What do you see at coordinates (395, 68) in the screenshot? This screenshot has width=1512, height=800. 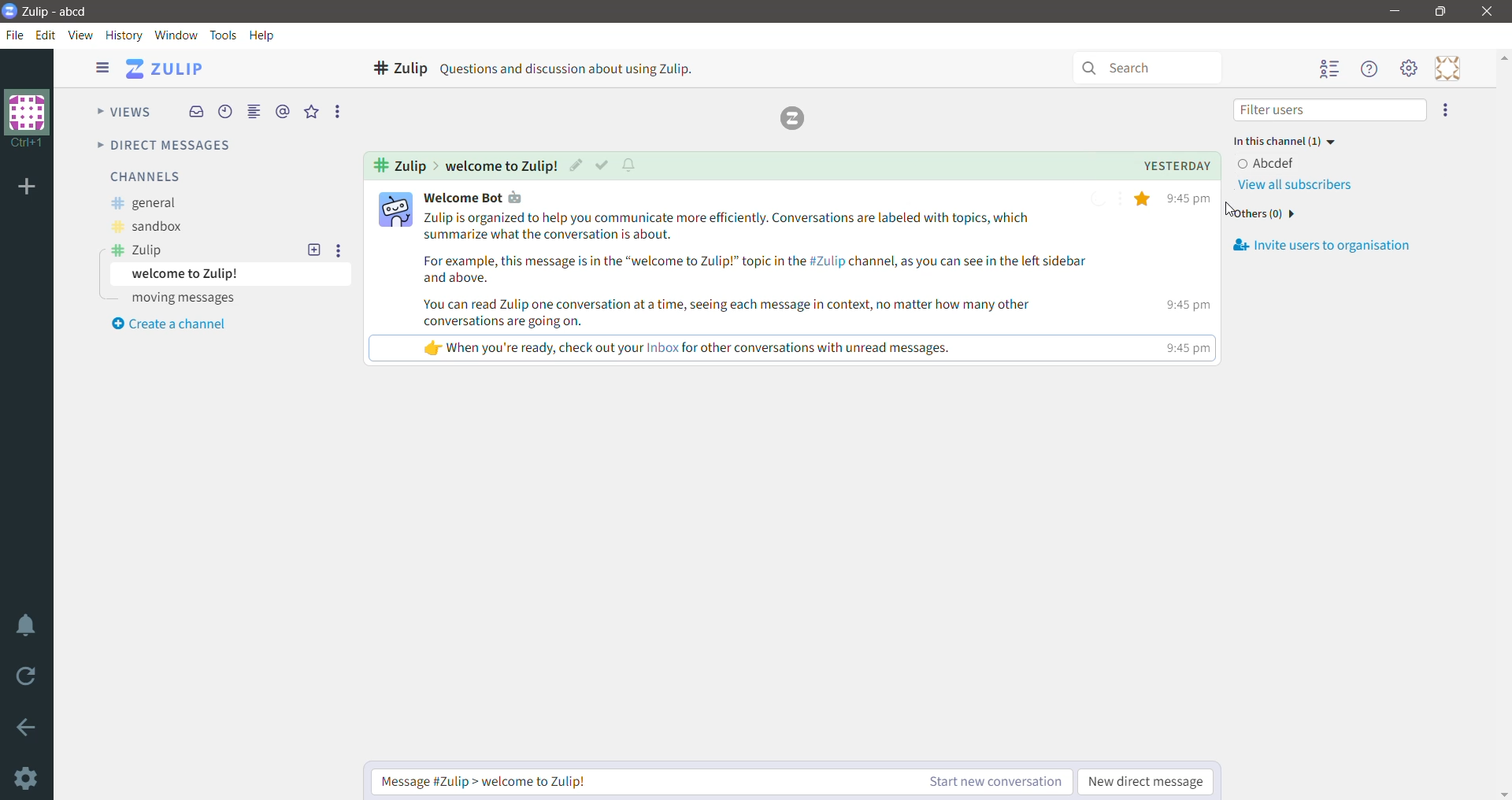 I see `Channel - Zulip` at bounding box center [395, 68].